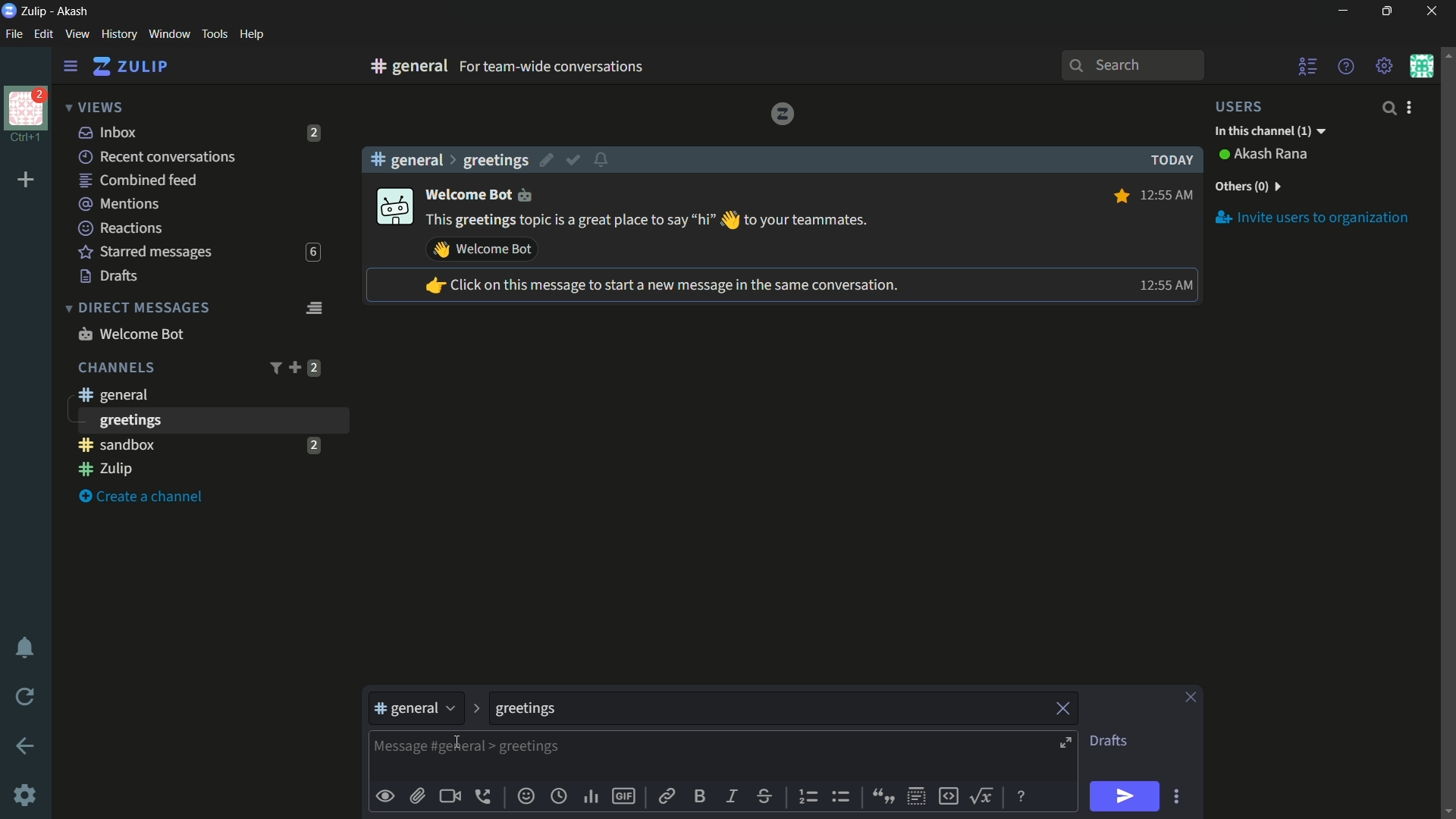 This screenshot has height=819, width=1456. I want to click on strikethrough, so click(765, 798).